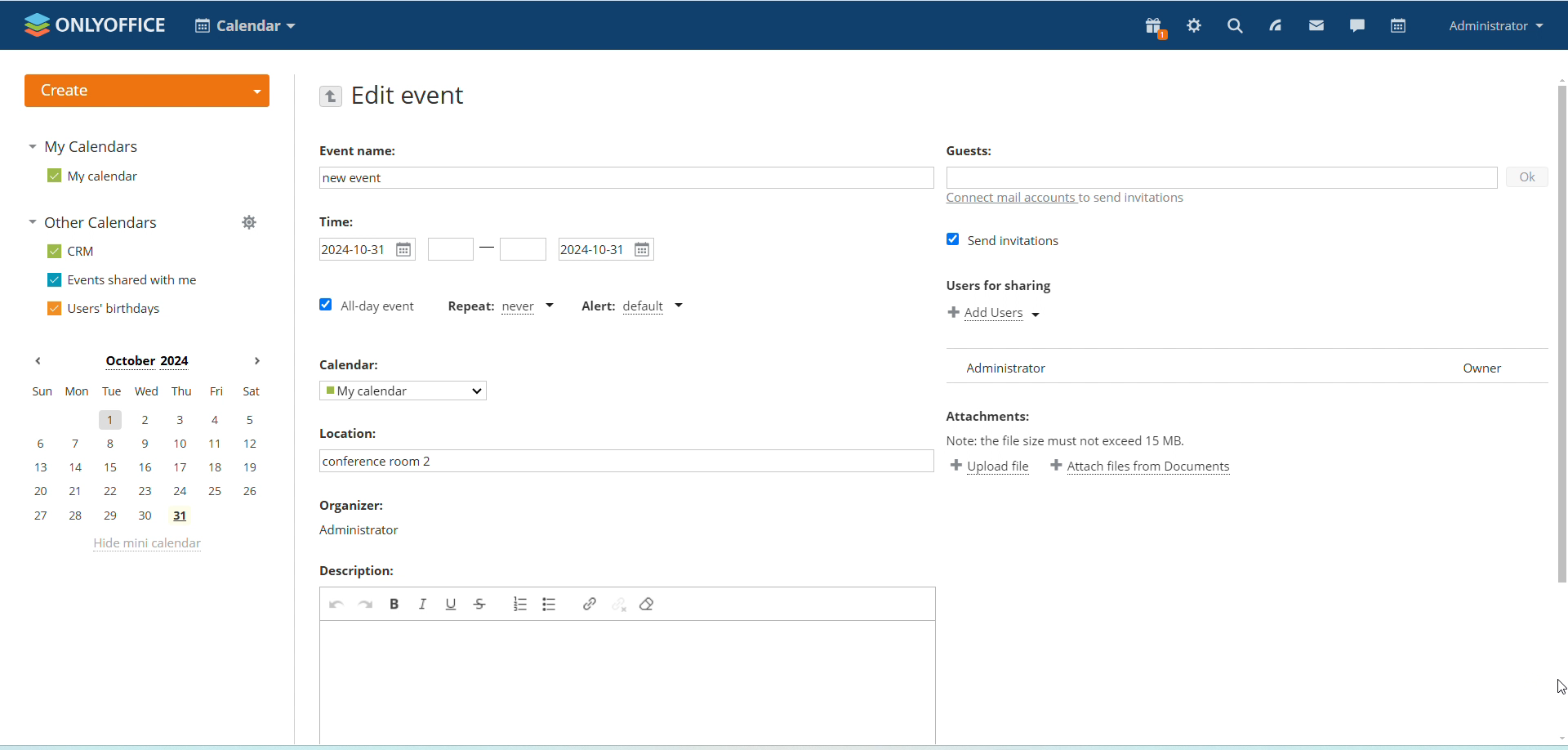  I want to click on events shared with me, so click(126, 281).